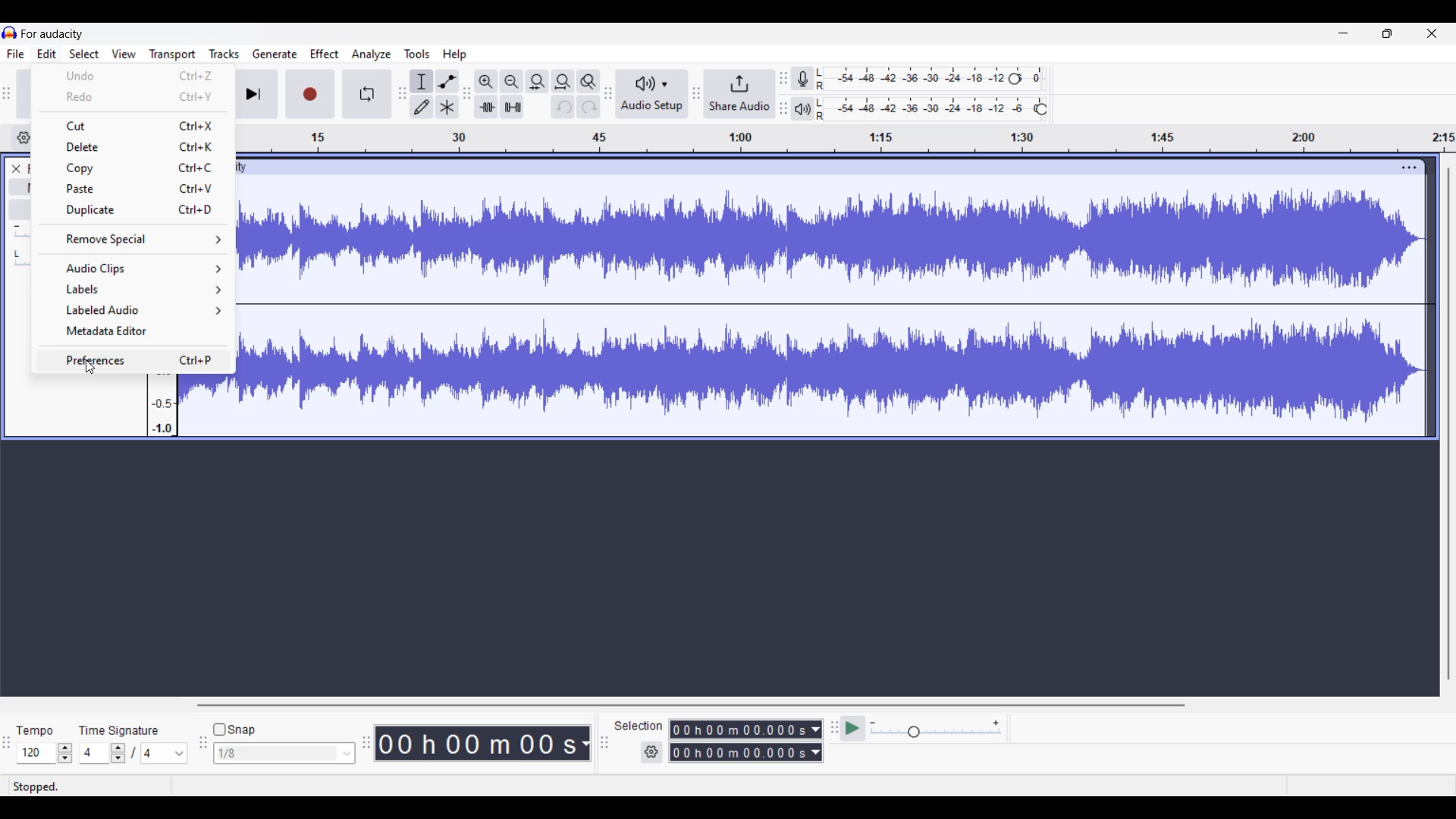 Image resolution: width=1456 pixels, height=819 pixels. Describe the element at coordinates (1015, 79) in the screenshot. I see `Header to change recording level` at that location.